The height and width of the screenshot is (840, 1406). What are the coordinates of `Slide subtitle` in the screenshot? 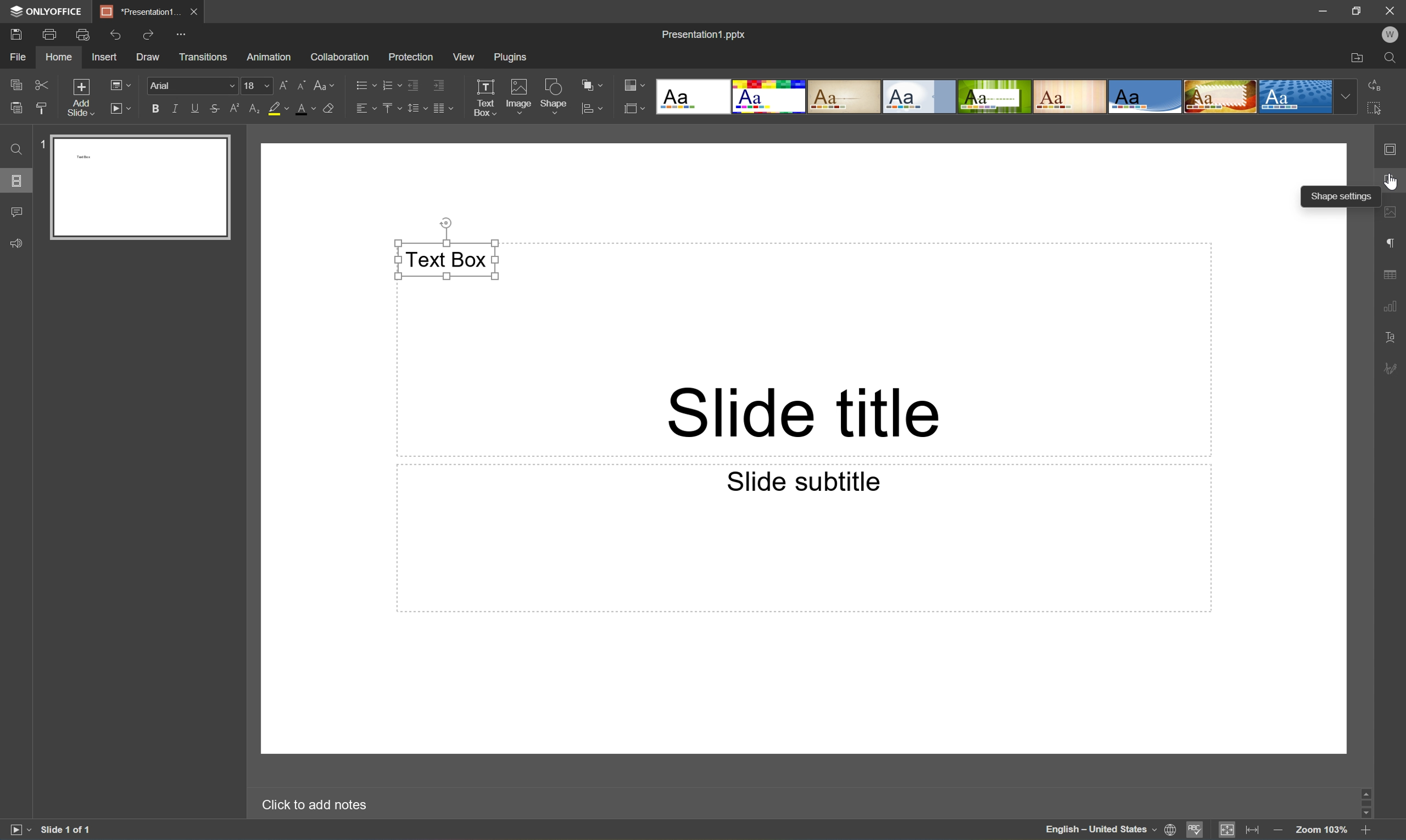 It's located at (802, 479).